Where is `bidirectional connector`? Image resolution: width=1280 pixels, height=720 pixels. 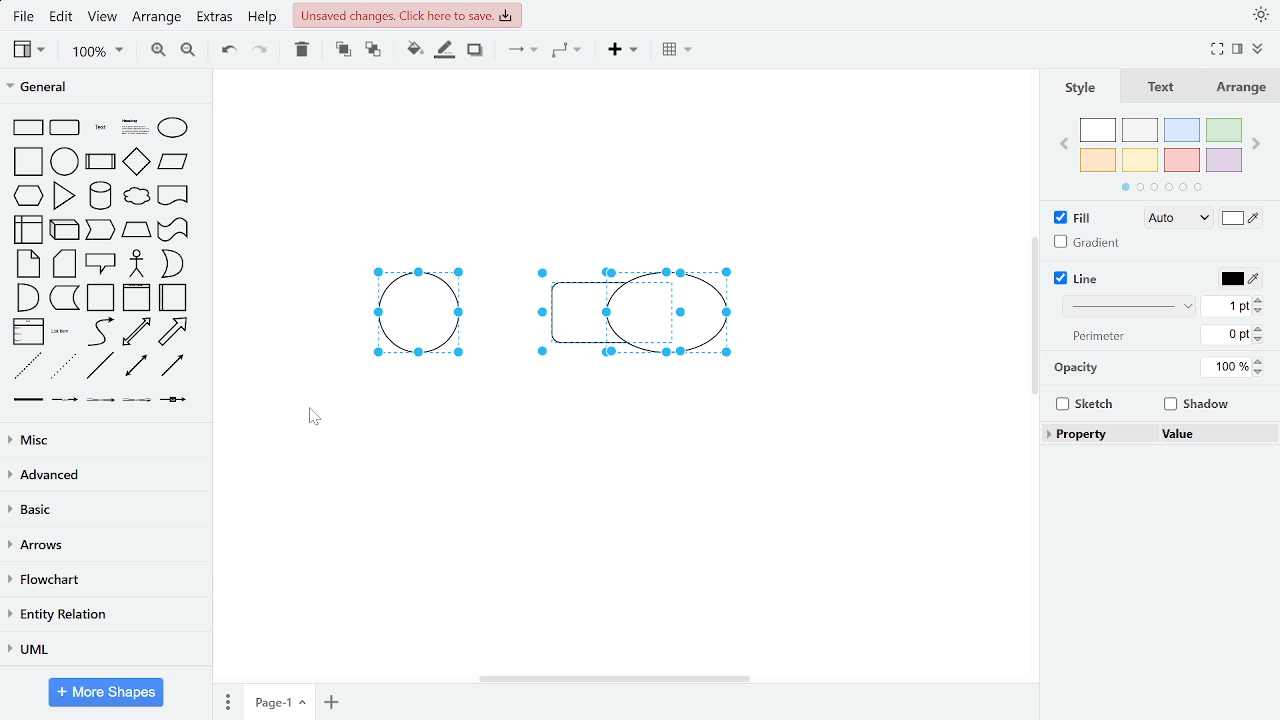
bidirectional connector is located at coordinates (138, 368).